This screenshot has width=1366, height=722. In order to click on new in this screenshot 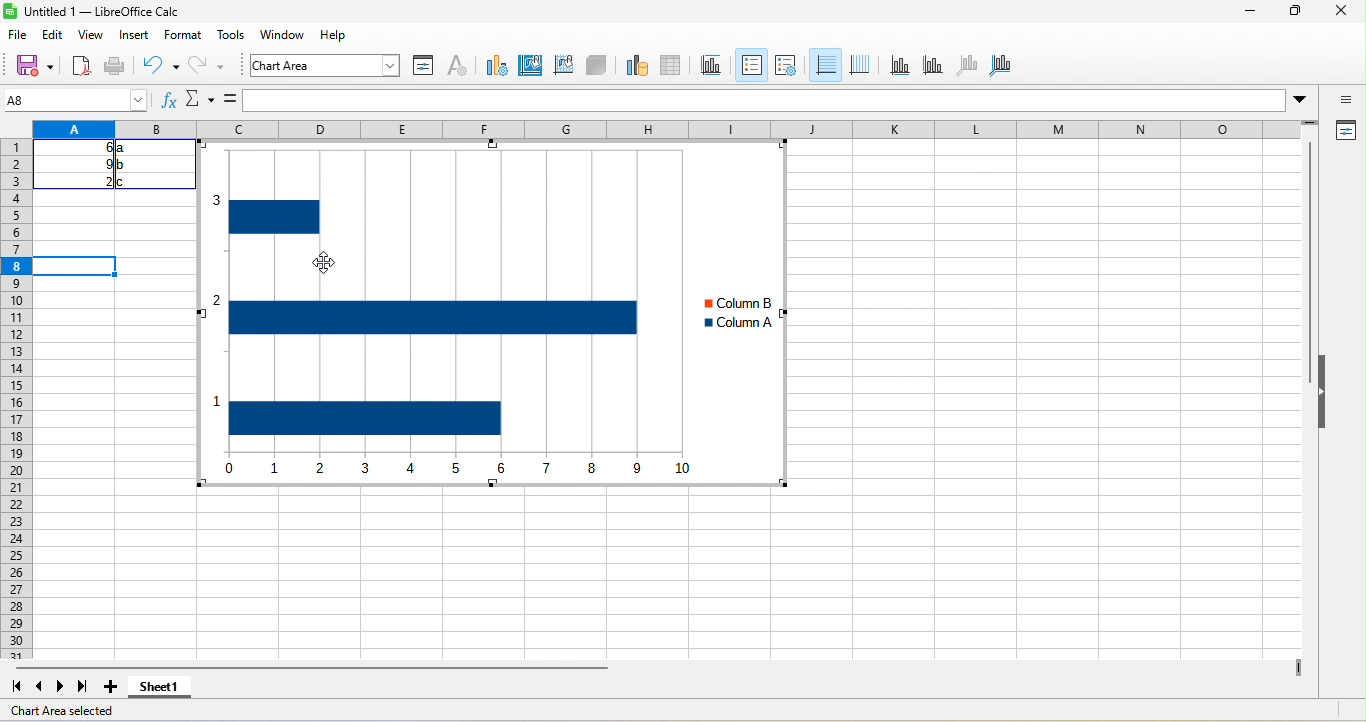, I will do `click(28, 64)`.